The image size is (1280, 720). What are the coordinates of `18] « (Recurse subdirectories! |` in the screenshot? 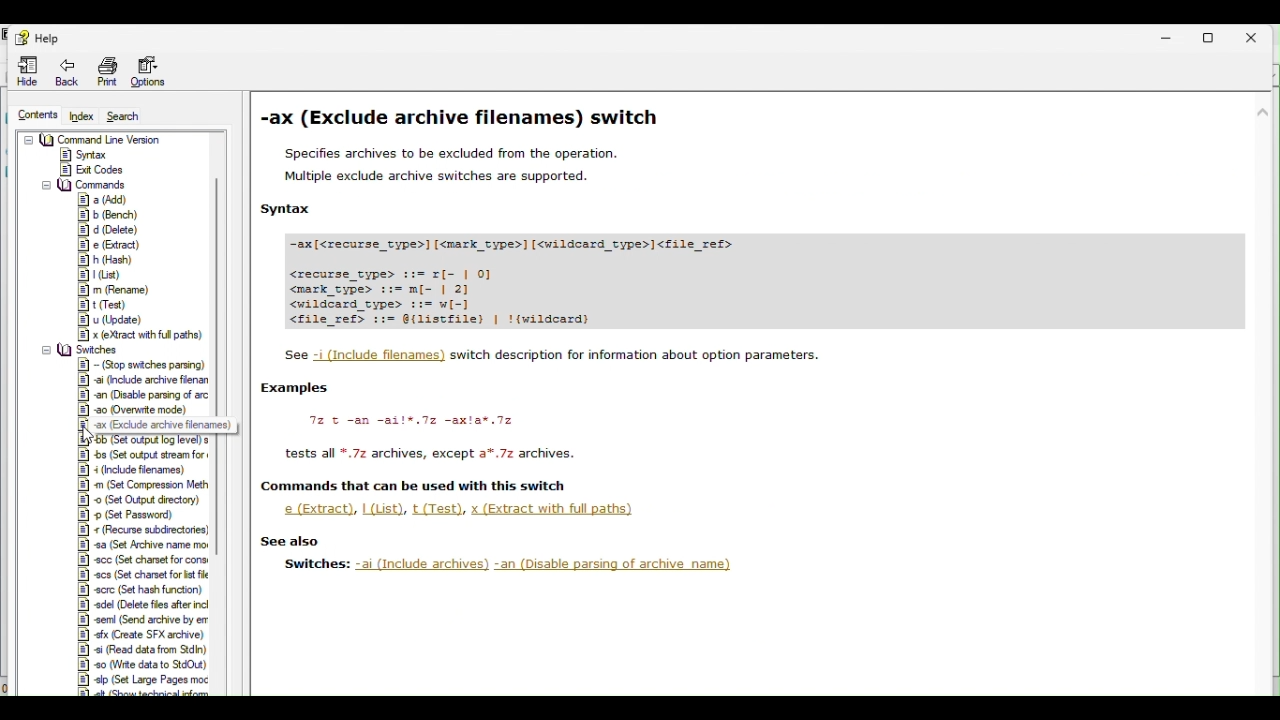 It's located at (145, 529).